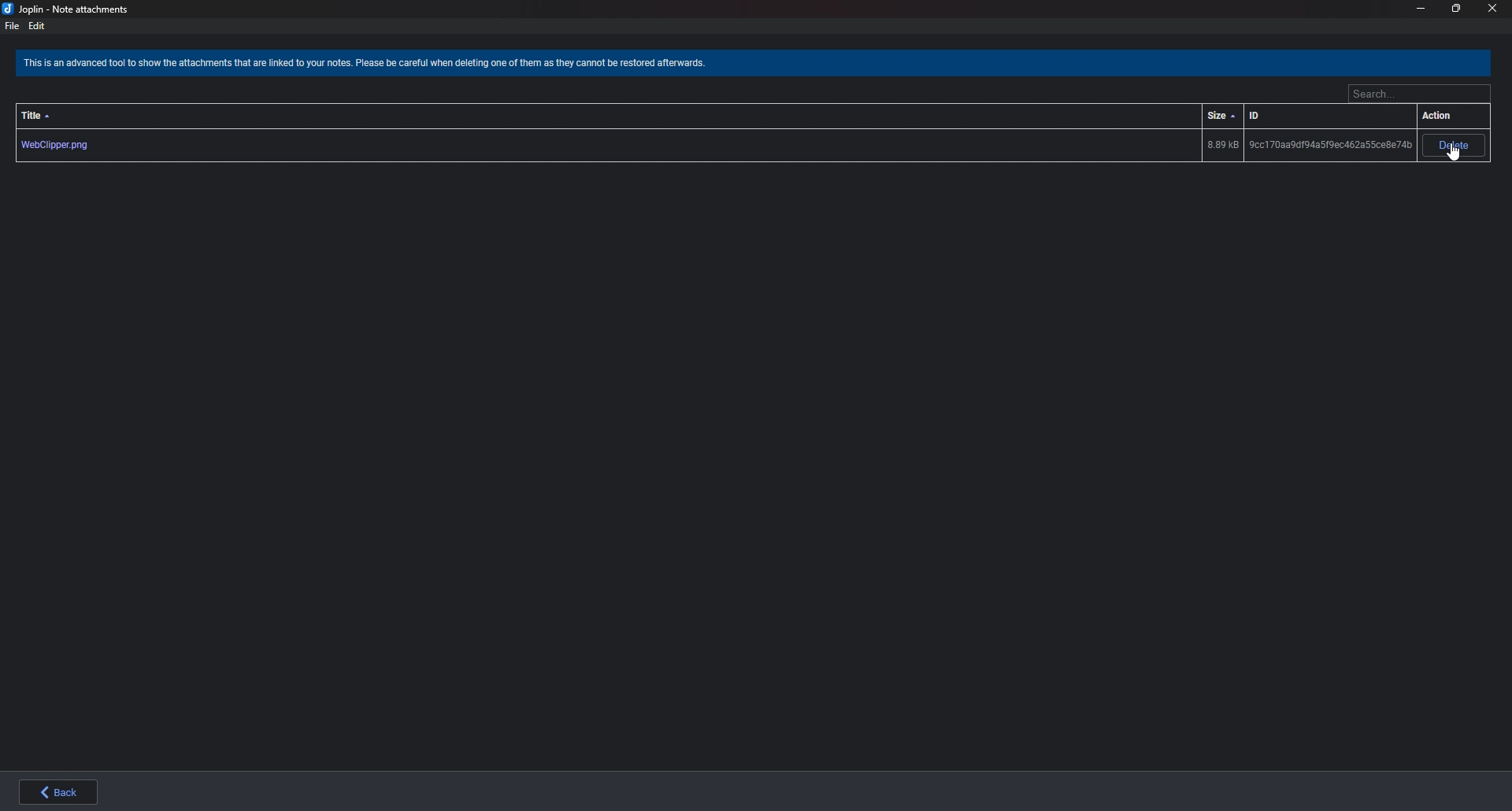 The width and height of the screenshot is (1512, 811). Describe the element at coordinates (713, 146) in the screenshot. I see `Attachment` at that location.